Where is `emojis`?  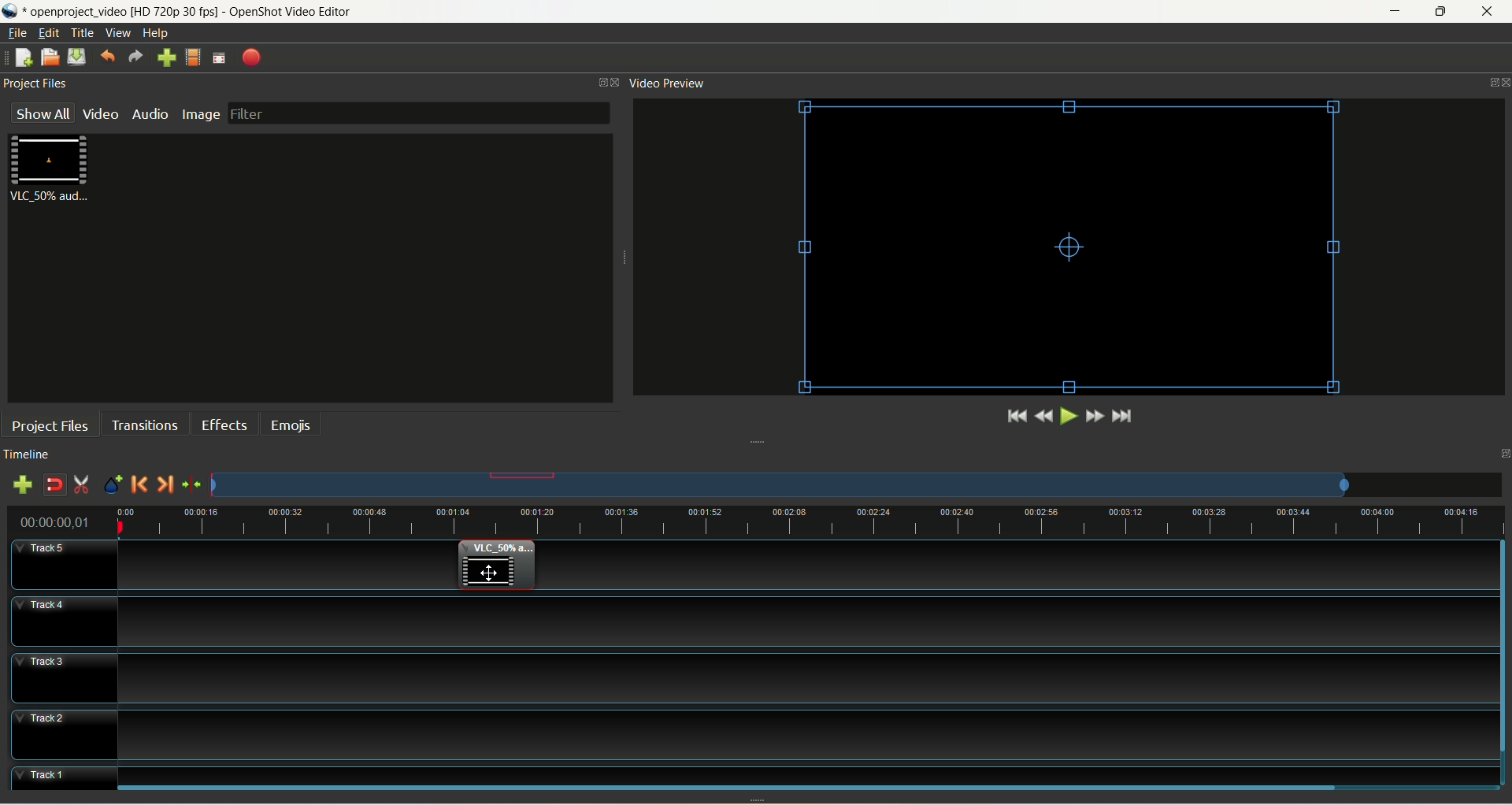 emojis is located at coordinates (289, 424).